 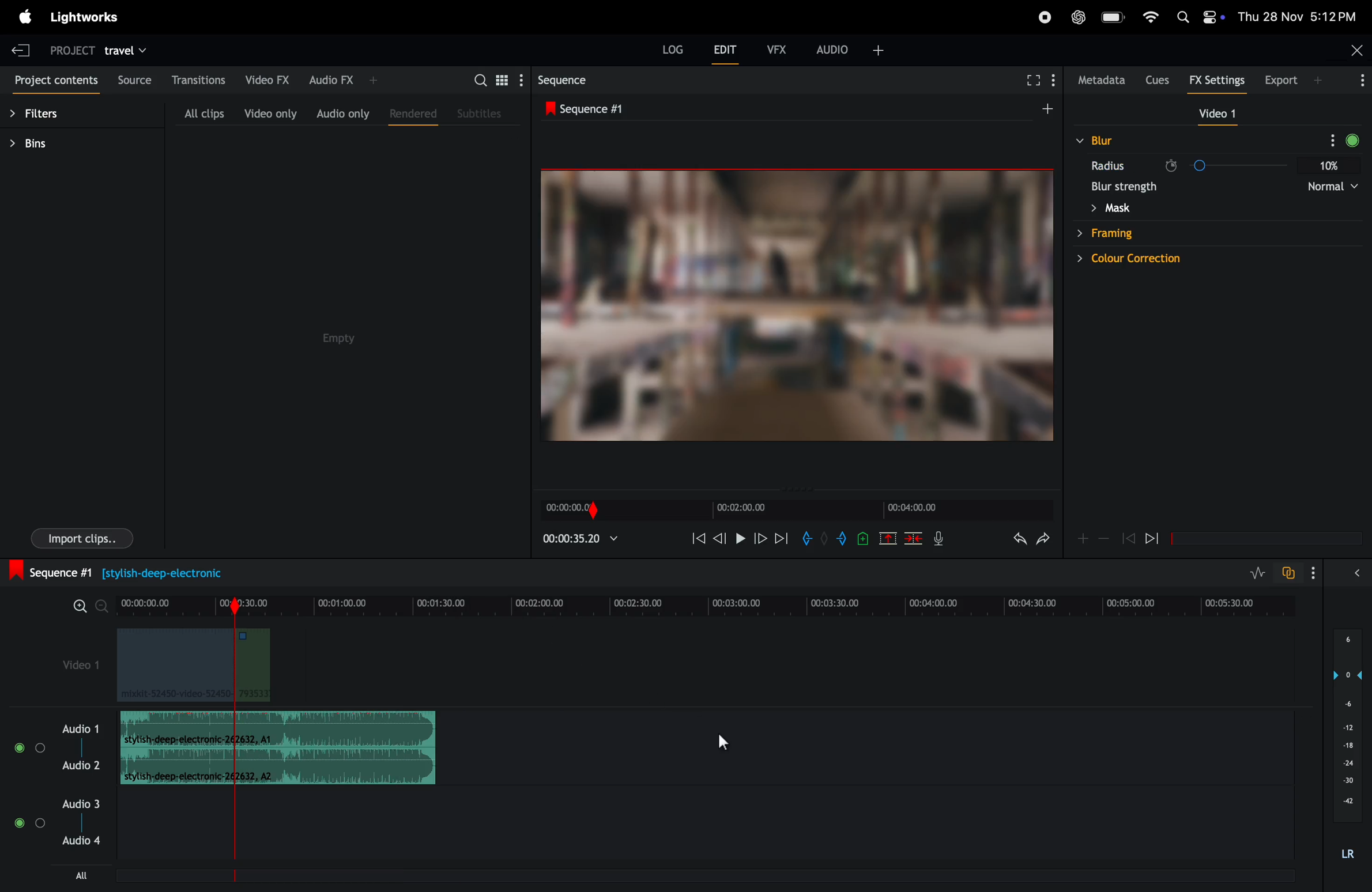 What do you see at coordinates (1156, 80) in the screenshot?
I see `cues` at bounding box center [1156, 80].